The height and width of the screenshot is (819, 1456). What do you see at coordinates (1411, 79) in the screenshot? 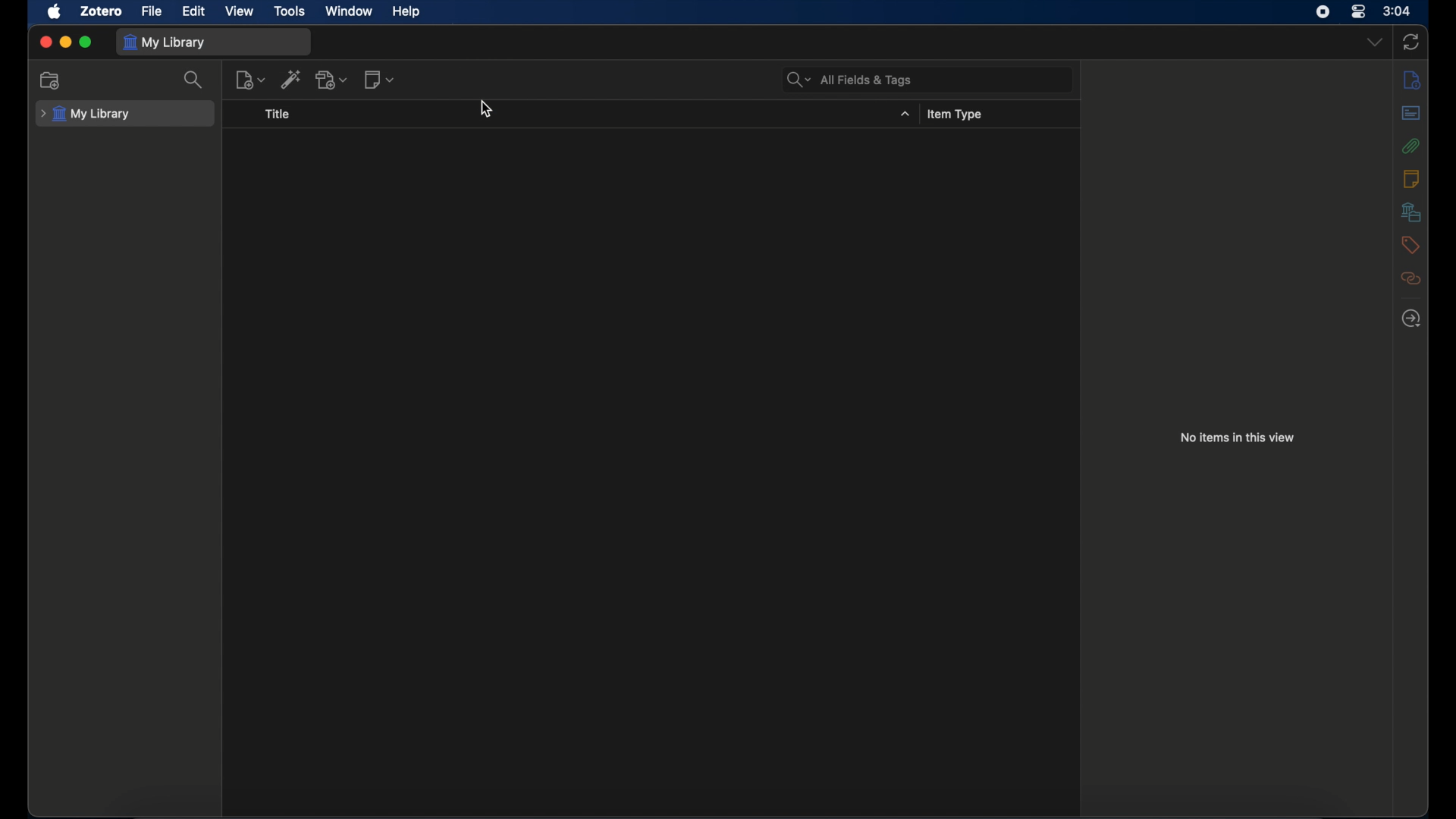
I see `info` at bounding box center [1411, 79].